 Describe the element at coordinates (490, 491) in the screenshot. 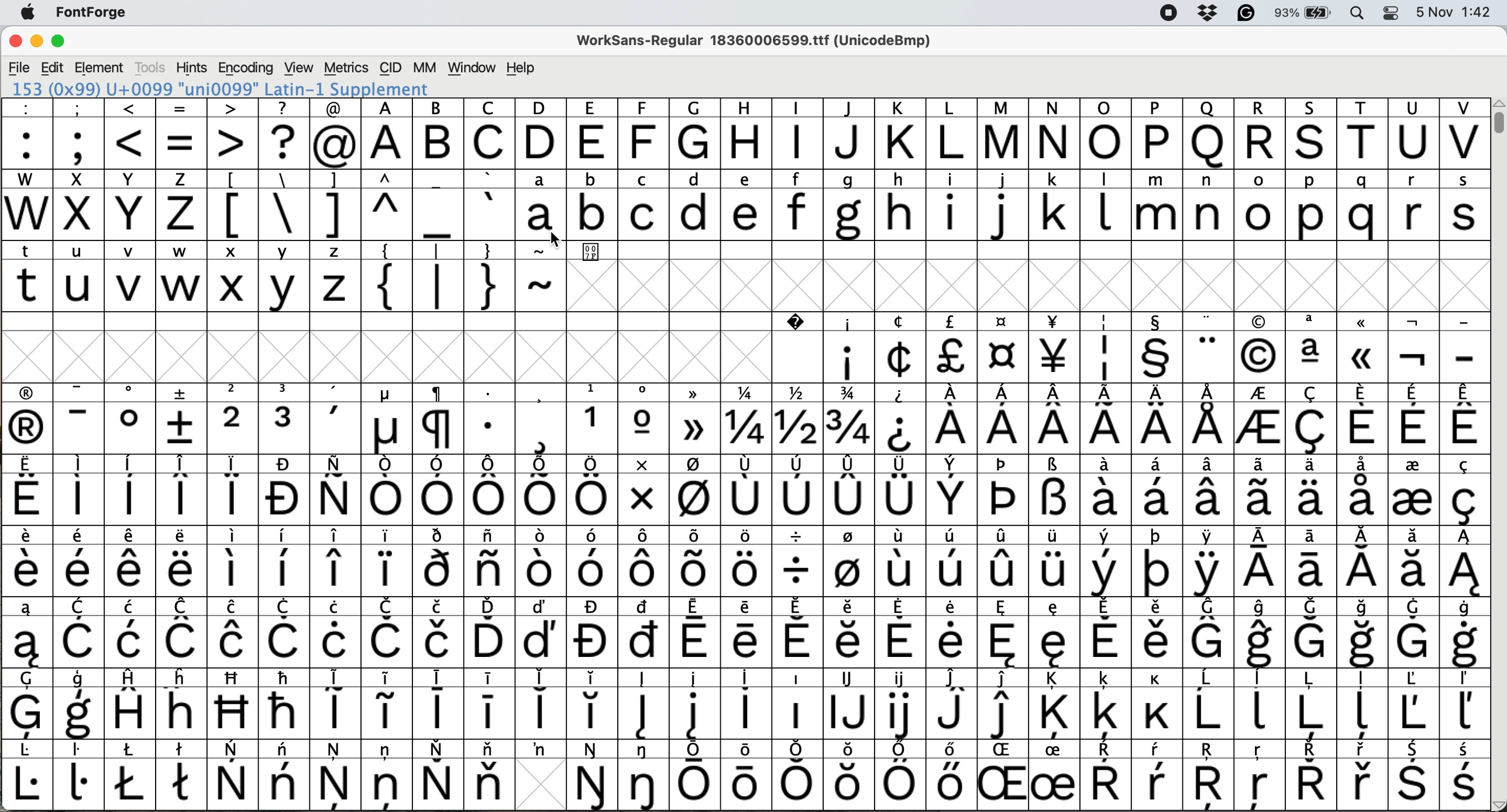

I see `symbol` at that location.